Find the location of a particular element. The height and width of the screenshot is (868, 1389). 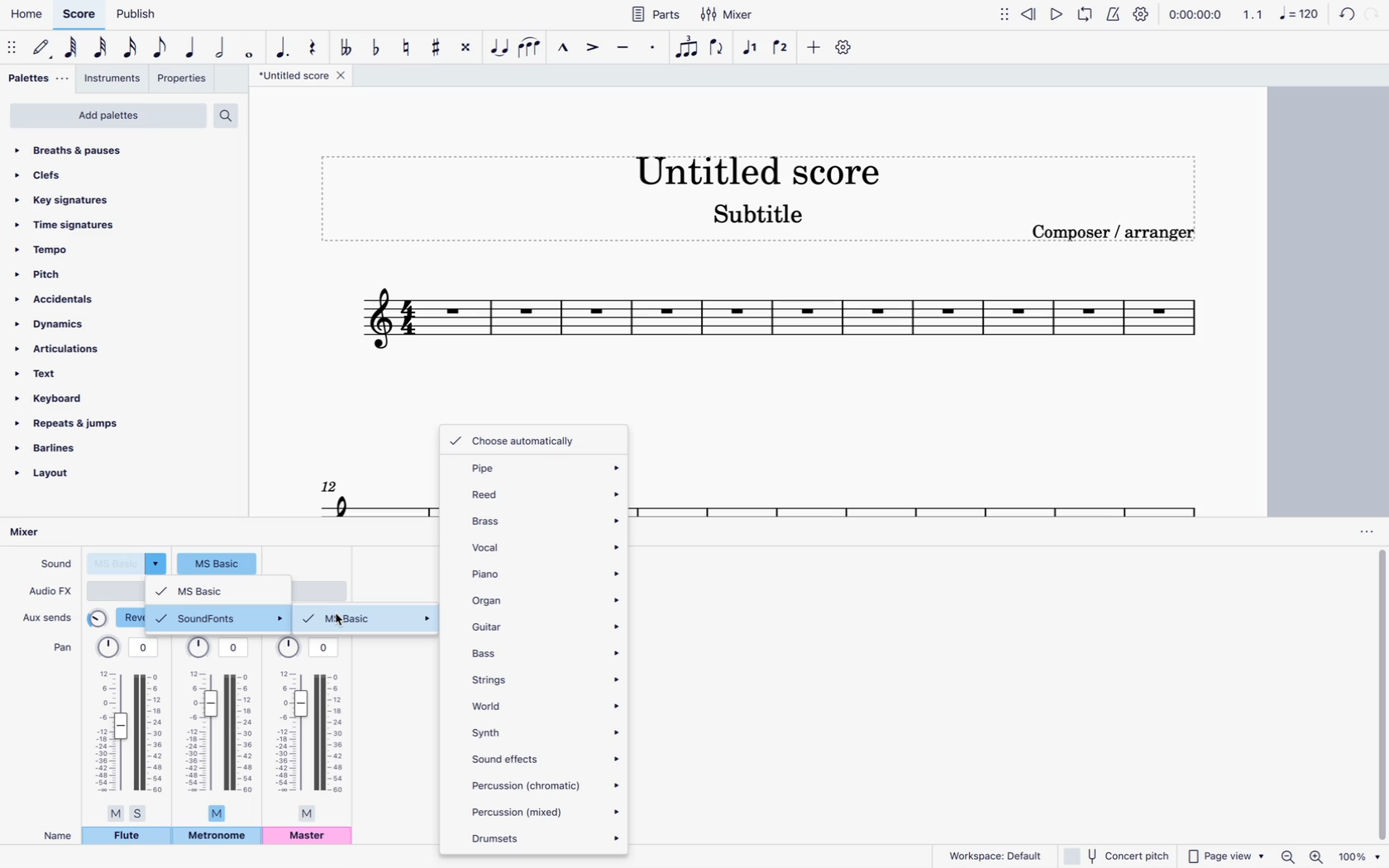

concert pitch is located at coordinates (1115, 855).